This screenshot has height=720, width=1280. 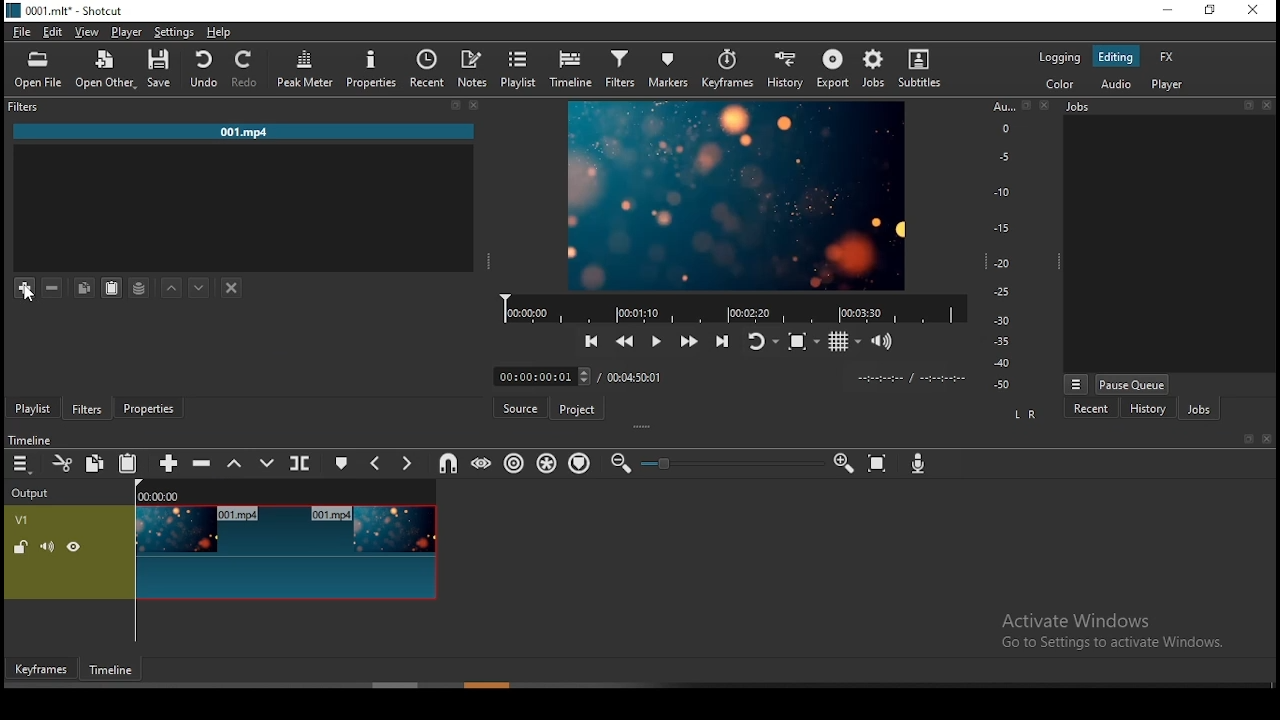 What do you see at coordinates (107, 71) in the screenshot?
I see `open other` at bounding box center [107, 71].